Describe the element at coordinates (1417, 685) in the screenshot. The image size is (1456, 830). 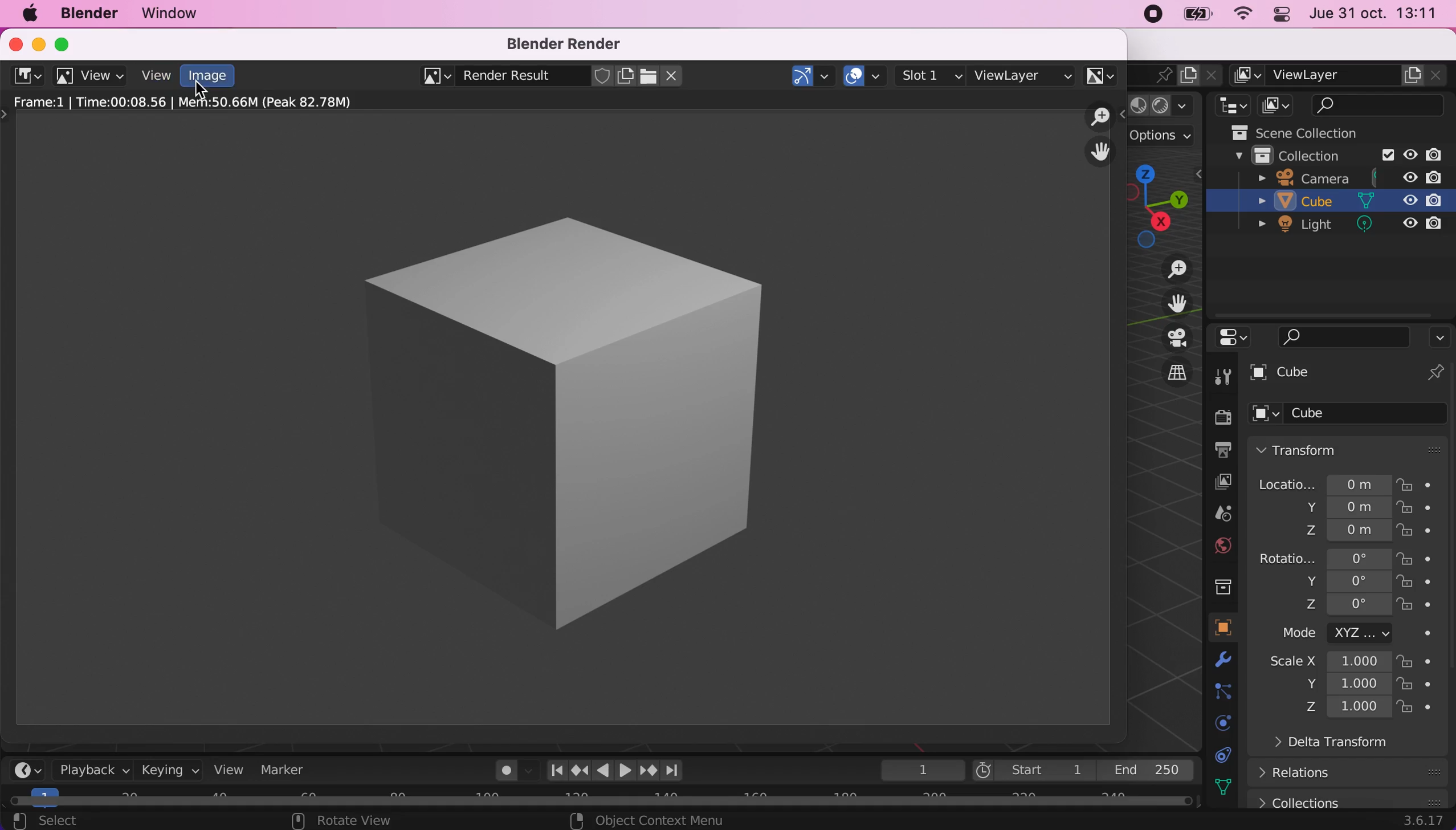
I see `lock` at that location.